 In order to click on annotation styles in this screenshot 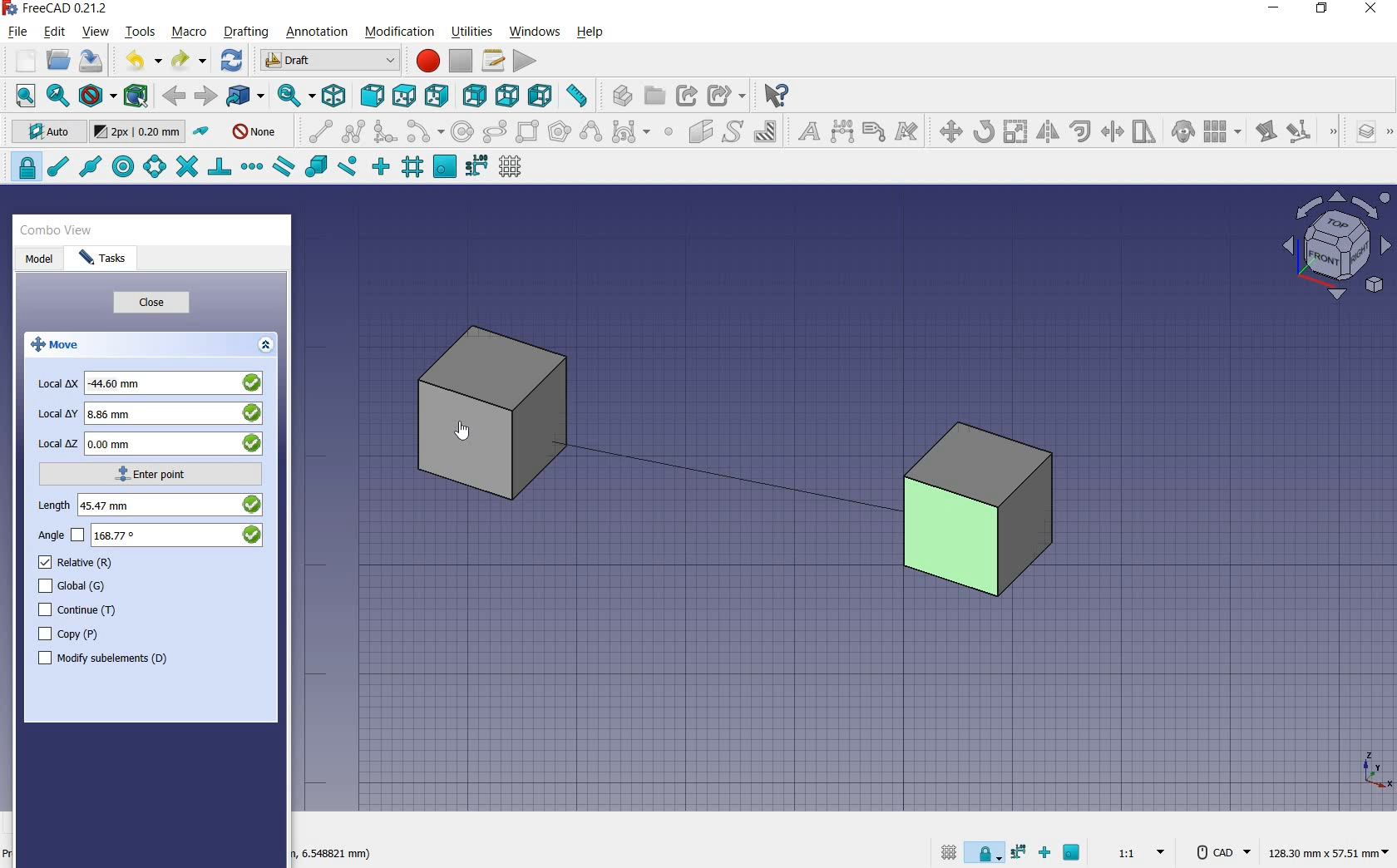, I will do `click(908, 133)`.